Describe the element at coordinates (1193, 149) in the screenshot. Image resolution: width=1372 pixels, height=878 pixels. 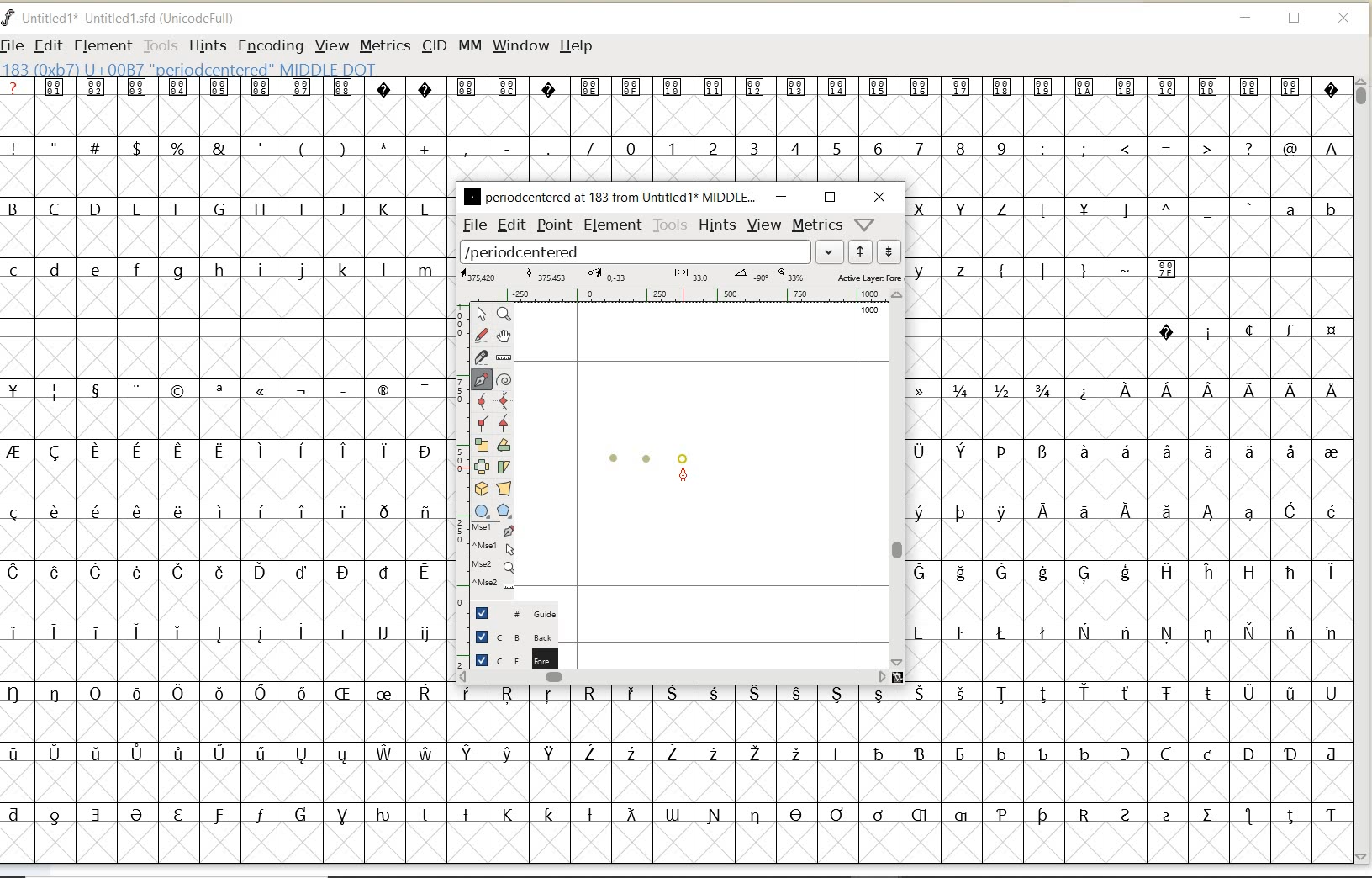
I see `special characters` at that location.